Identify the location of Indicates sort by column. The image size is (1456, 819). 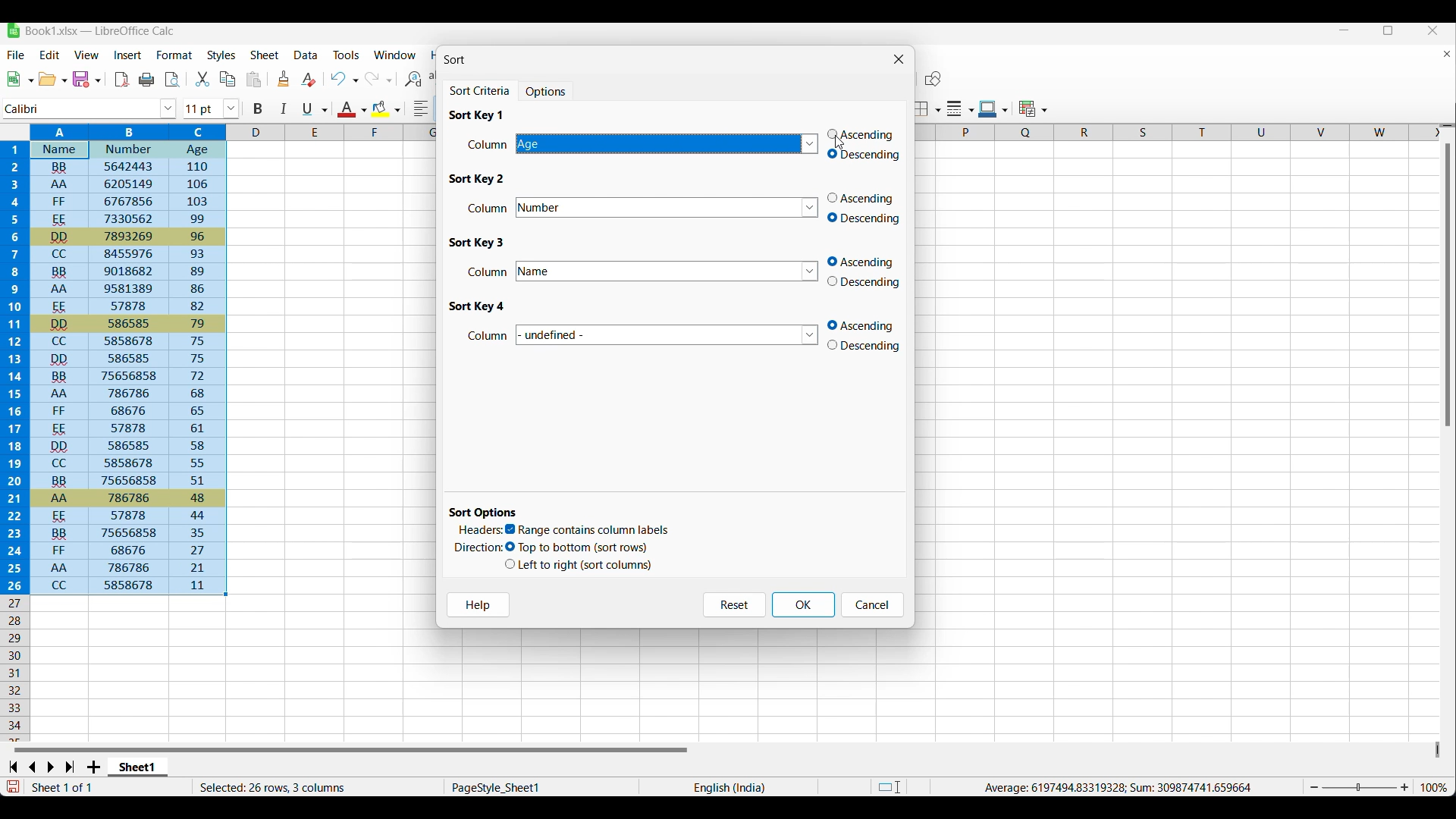
(488, 271).